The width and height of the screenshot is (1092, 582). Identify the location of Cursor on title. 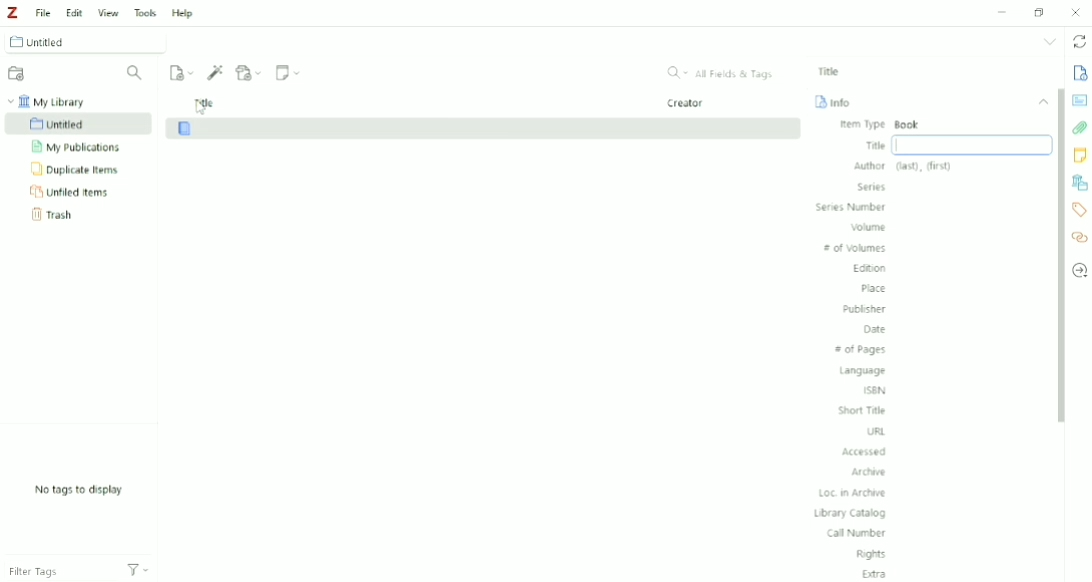
(201, 110).